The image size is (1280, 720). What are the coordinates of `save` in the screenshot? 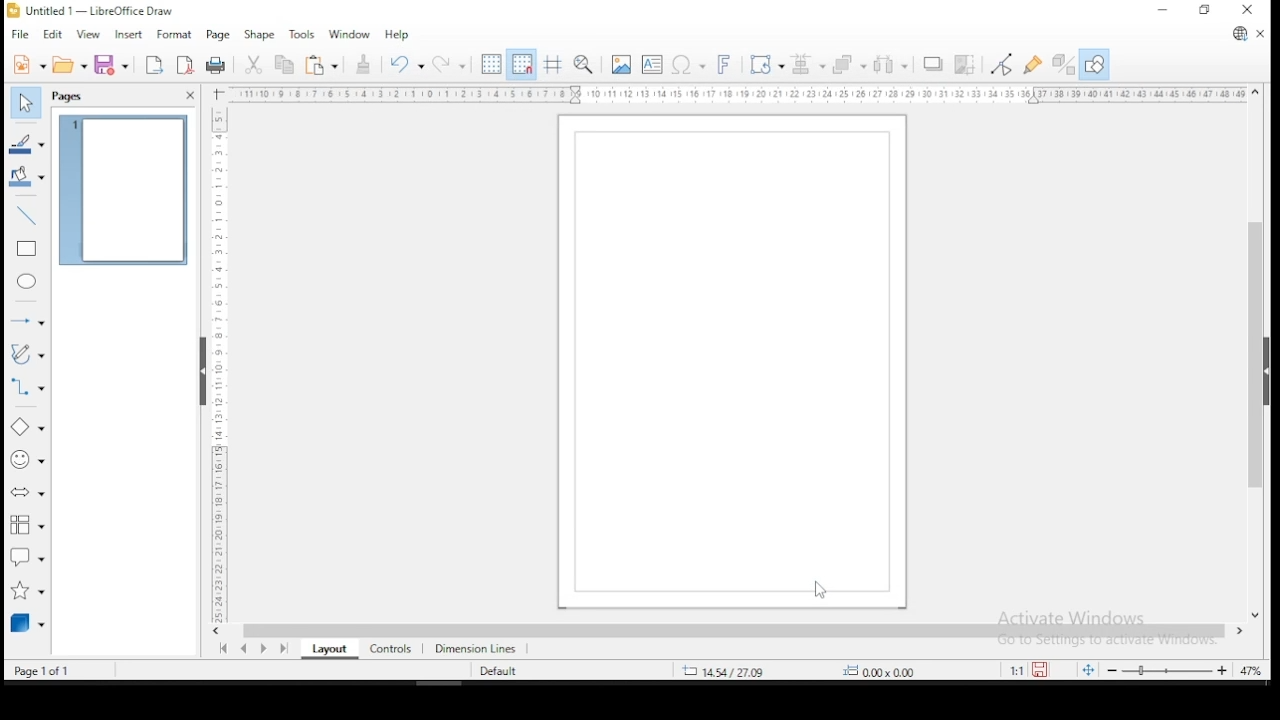 It's located at (1045, 669).